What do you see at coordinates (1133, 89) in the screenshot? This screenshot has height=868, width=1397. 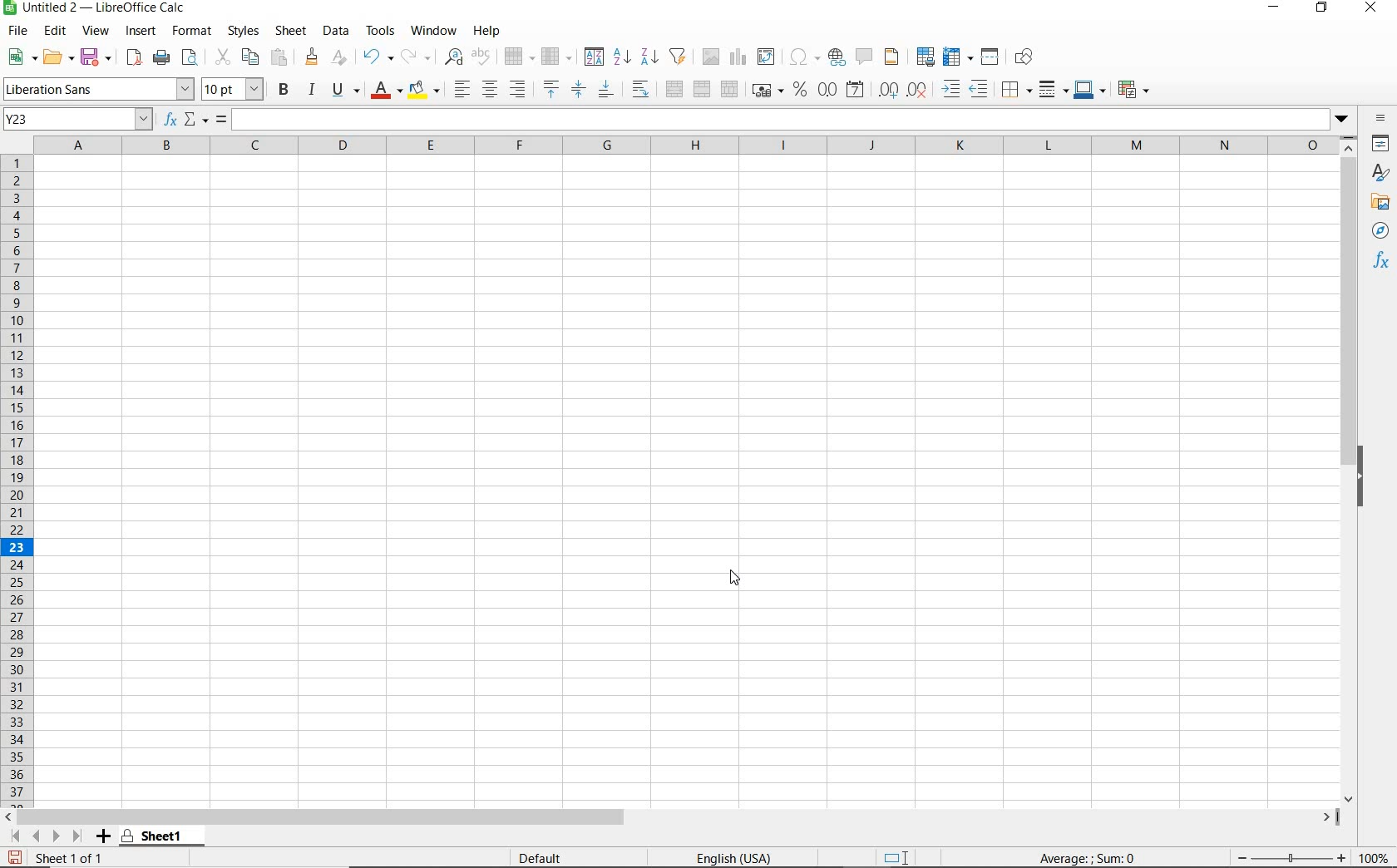 I see `CONDITIONAL` at bounding box center [1133, 89].